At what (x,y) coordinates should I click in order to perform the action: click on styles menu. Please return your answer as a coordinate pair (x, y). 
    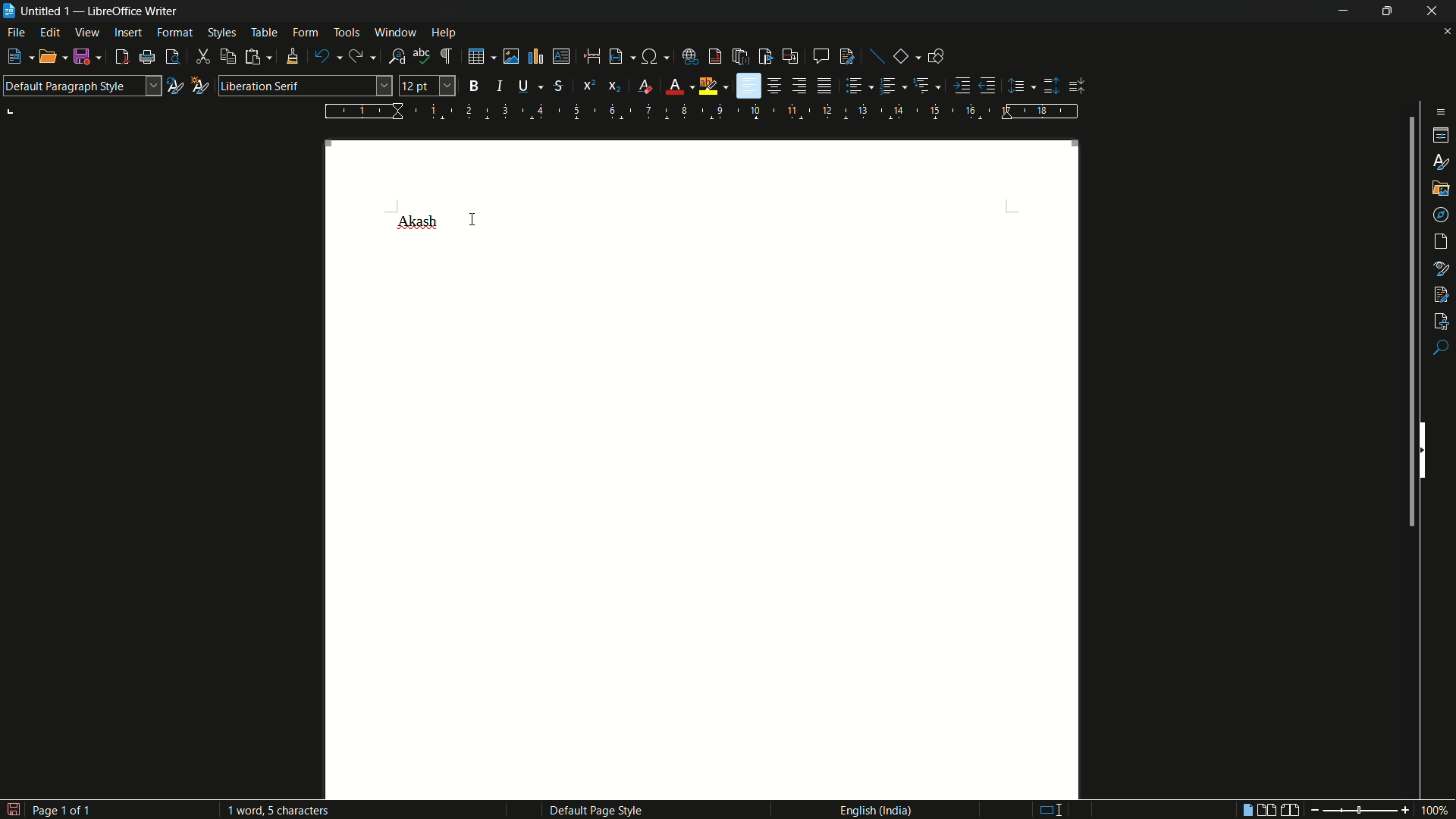
    Looking at the image, I should click on (221, 33).